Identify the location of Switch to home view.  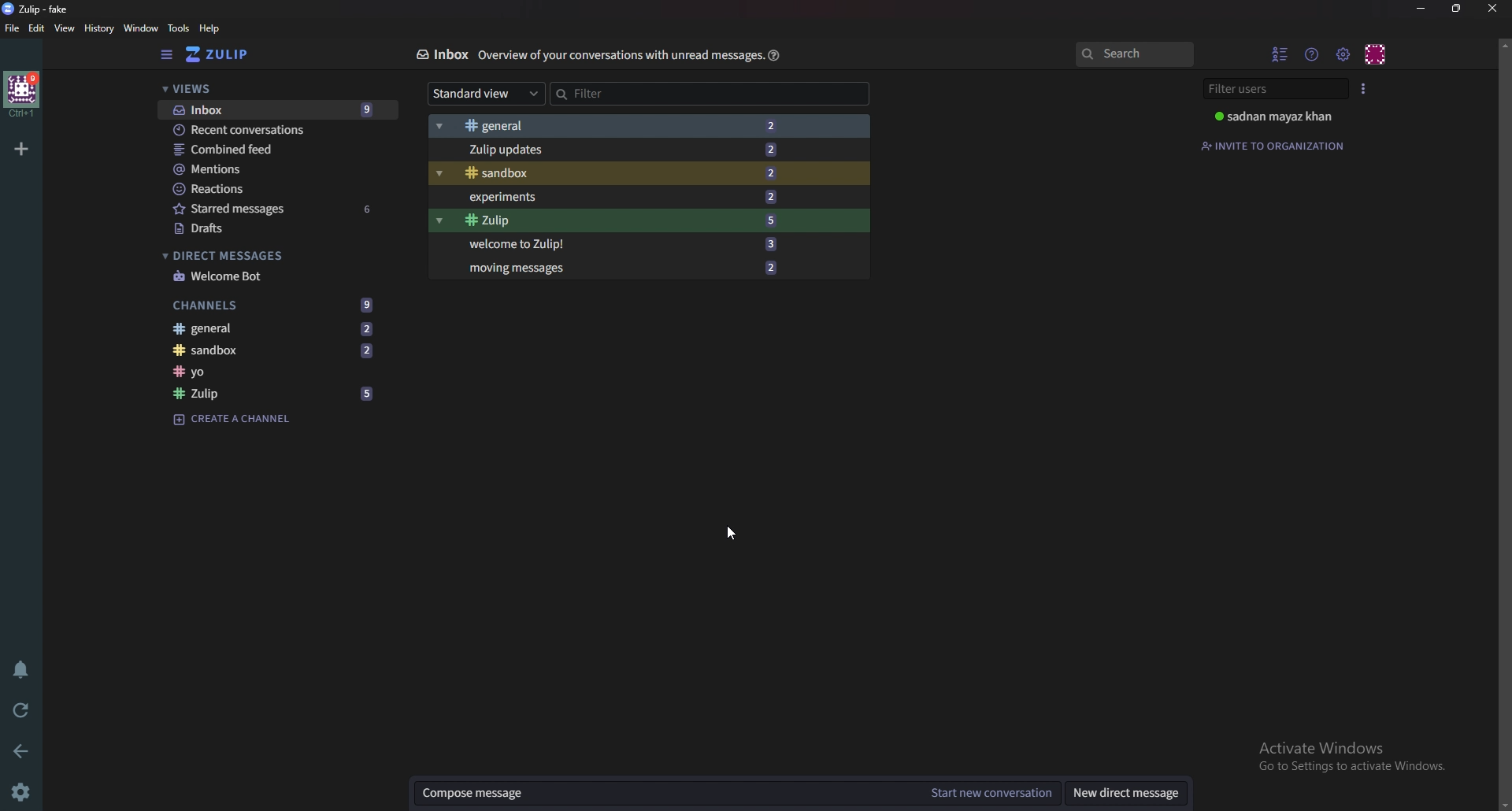
(224, 54).